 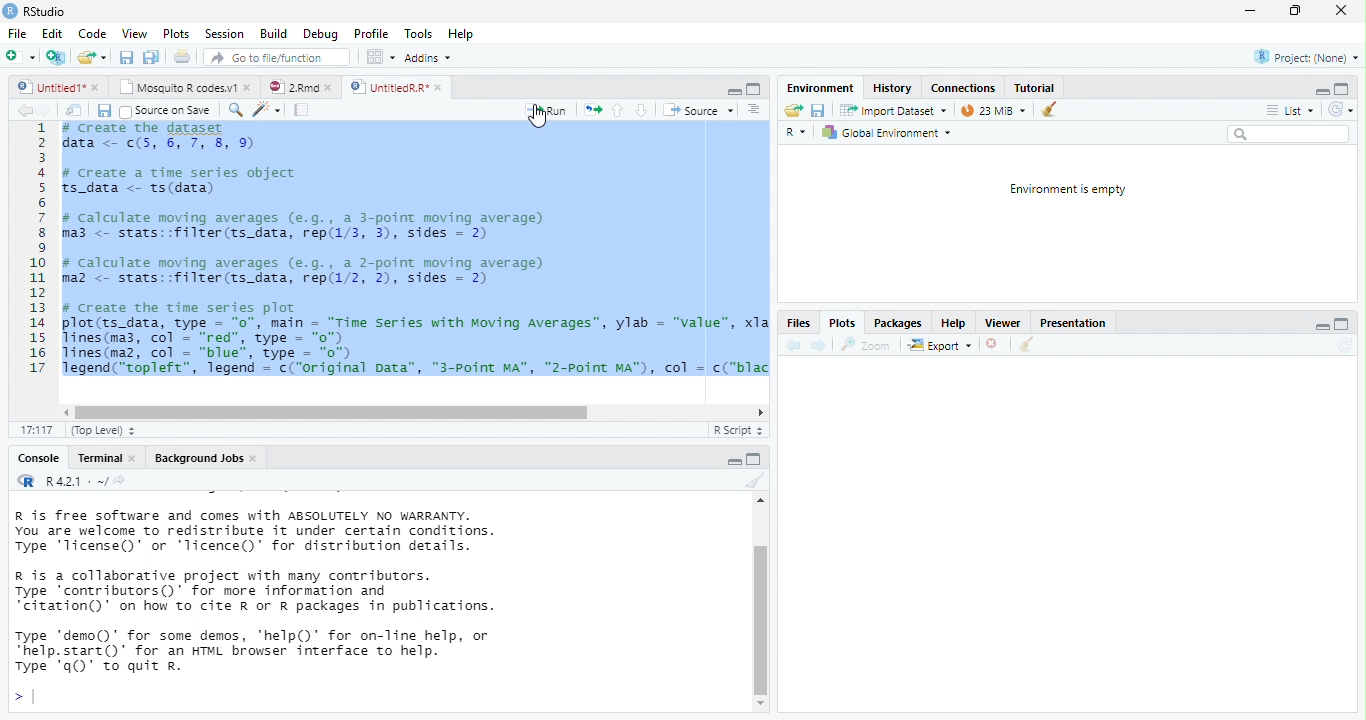 I want to click on Create a project, so click(x=55, y=57).